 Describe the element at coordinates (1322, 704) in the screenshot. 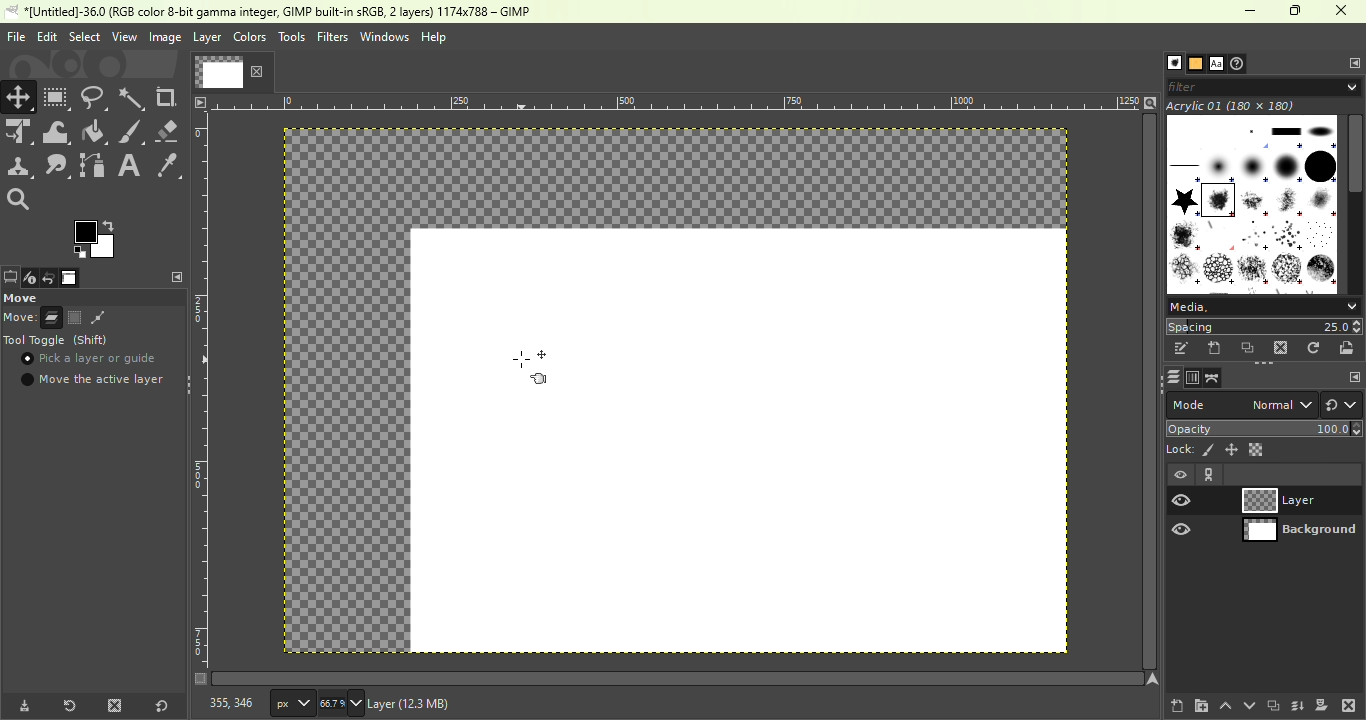

I see `Apply the effect of the layer mask and remove it` at that location.